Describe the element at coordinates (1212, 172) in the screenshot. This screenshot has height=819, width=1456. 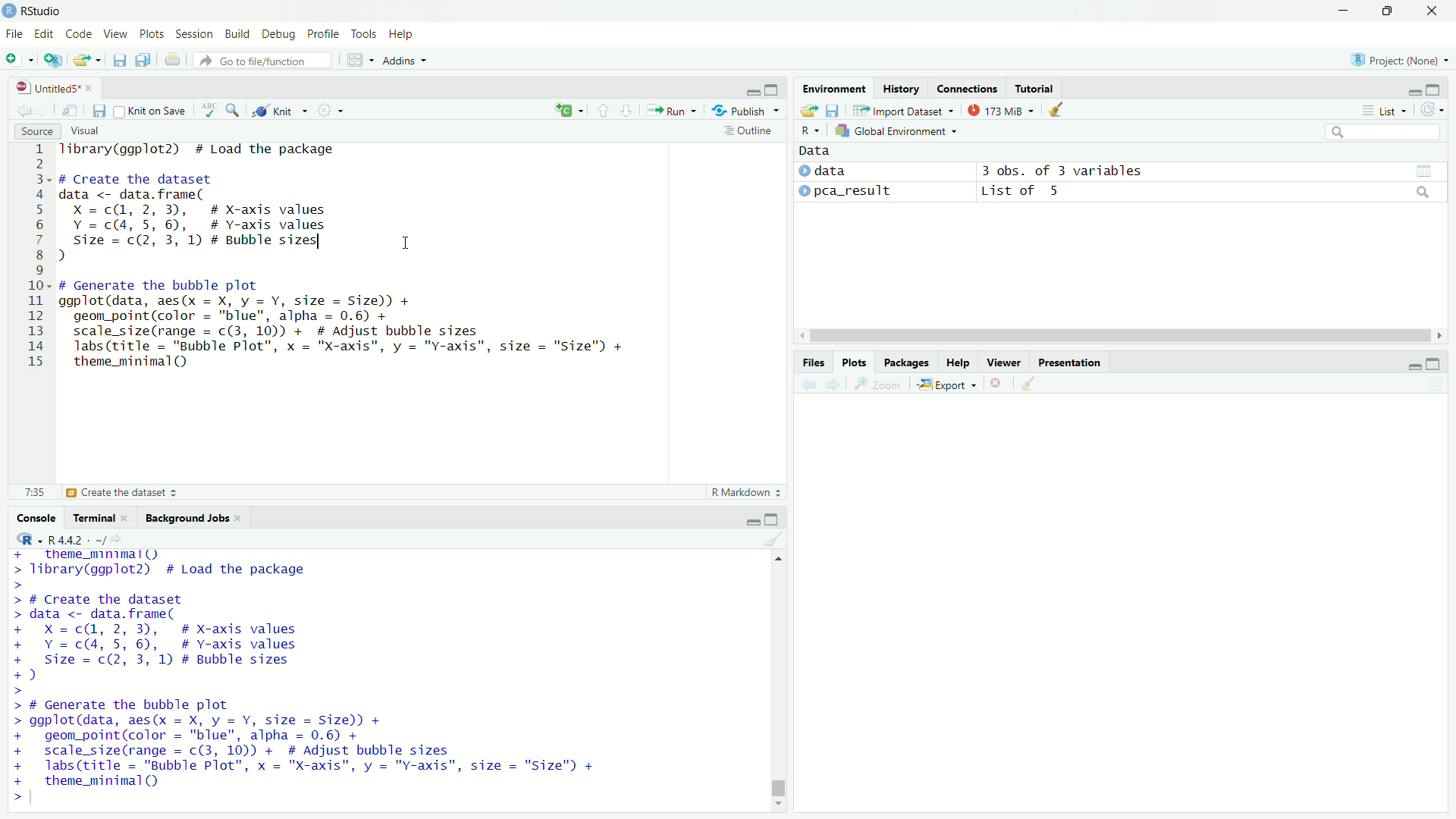
I see `data1 : 3 obs. of 3 variables` at that location.